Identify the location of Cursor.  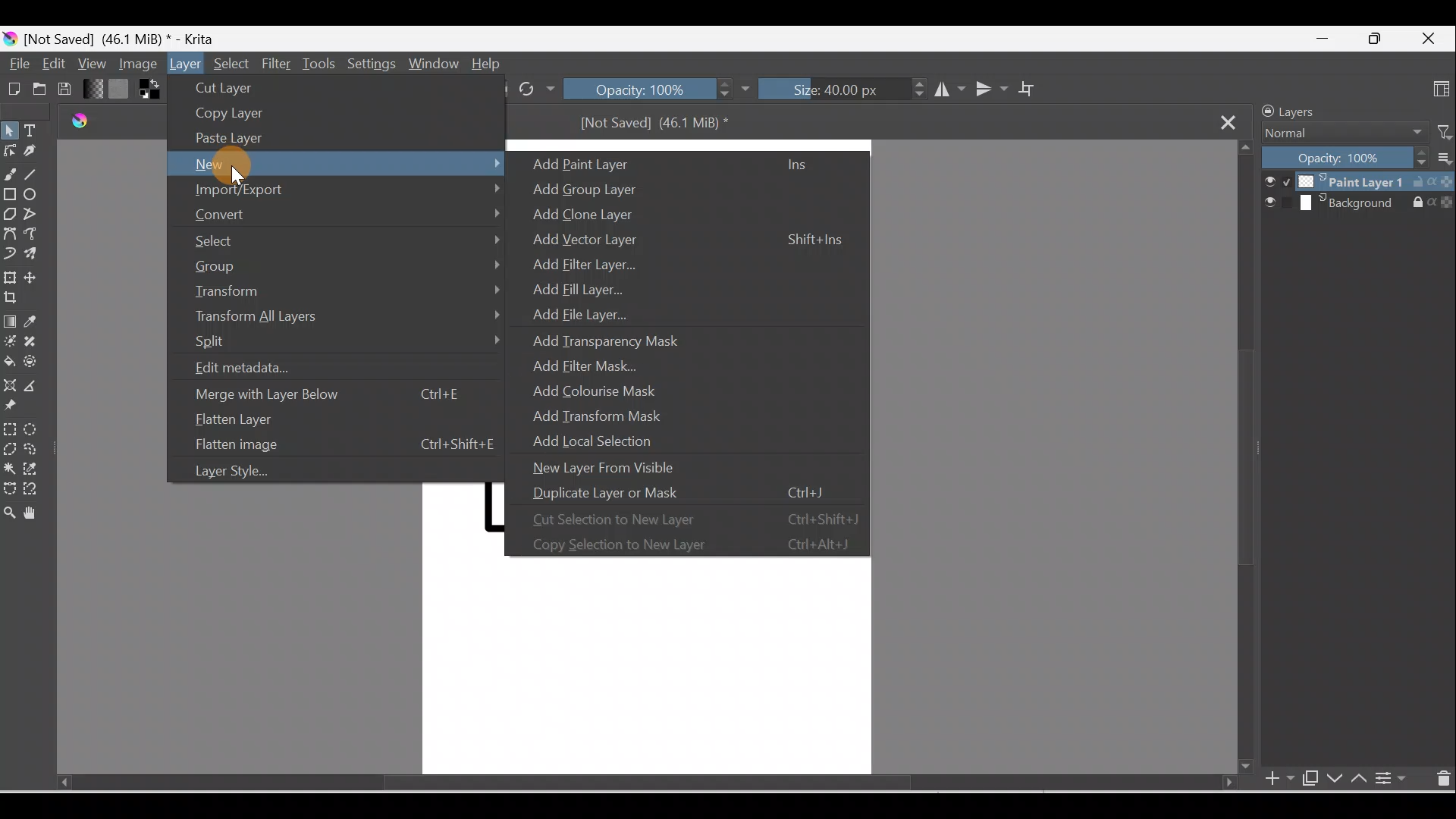
(237, 165).